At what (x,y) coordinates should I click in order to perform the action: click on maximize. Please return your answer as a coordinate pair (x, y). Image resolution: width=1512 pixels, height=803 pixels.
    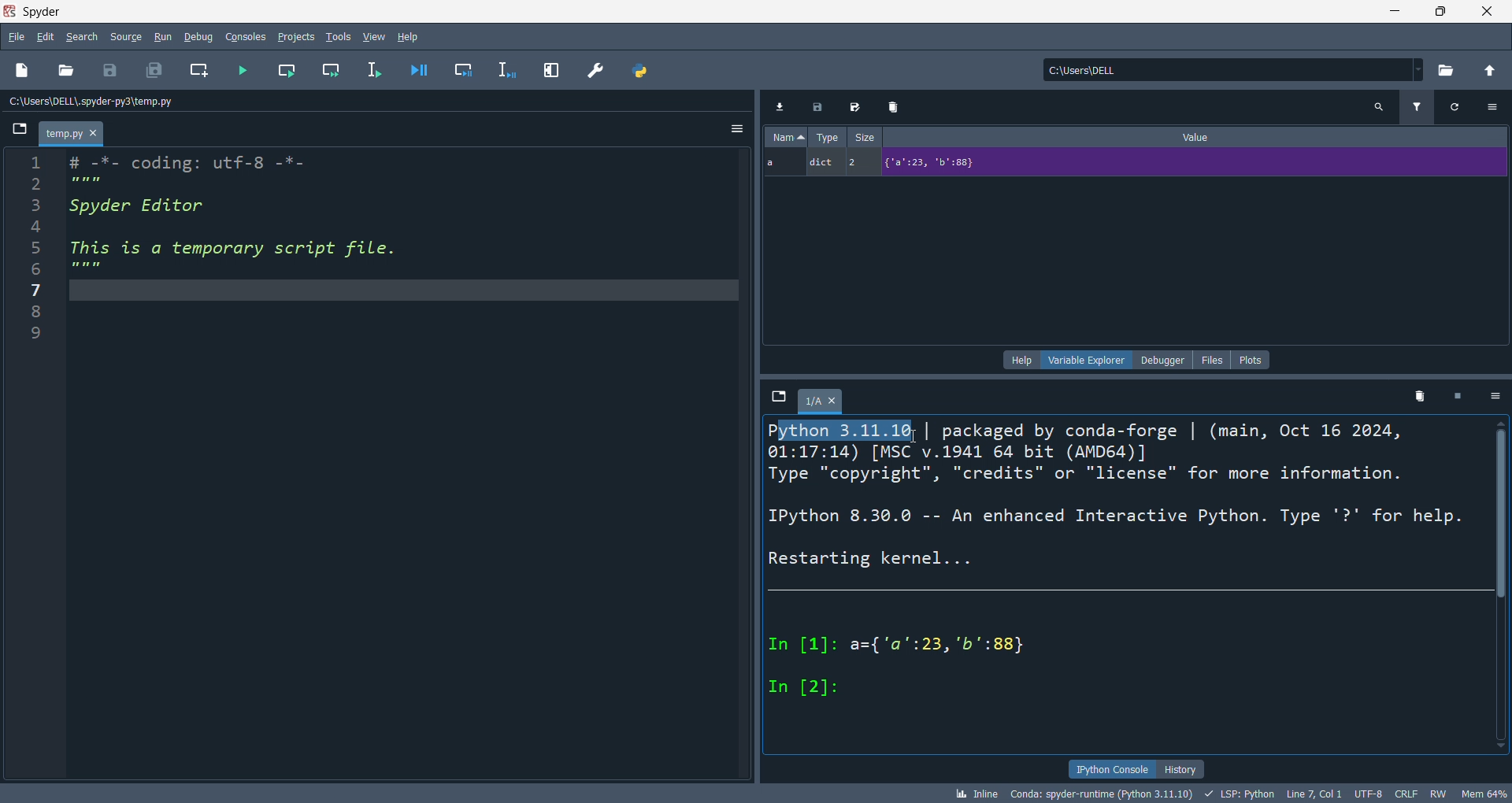
    Looking at the image, I should click on (1433, 13).